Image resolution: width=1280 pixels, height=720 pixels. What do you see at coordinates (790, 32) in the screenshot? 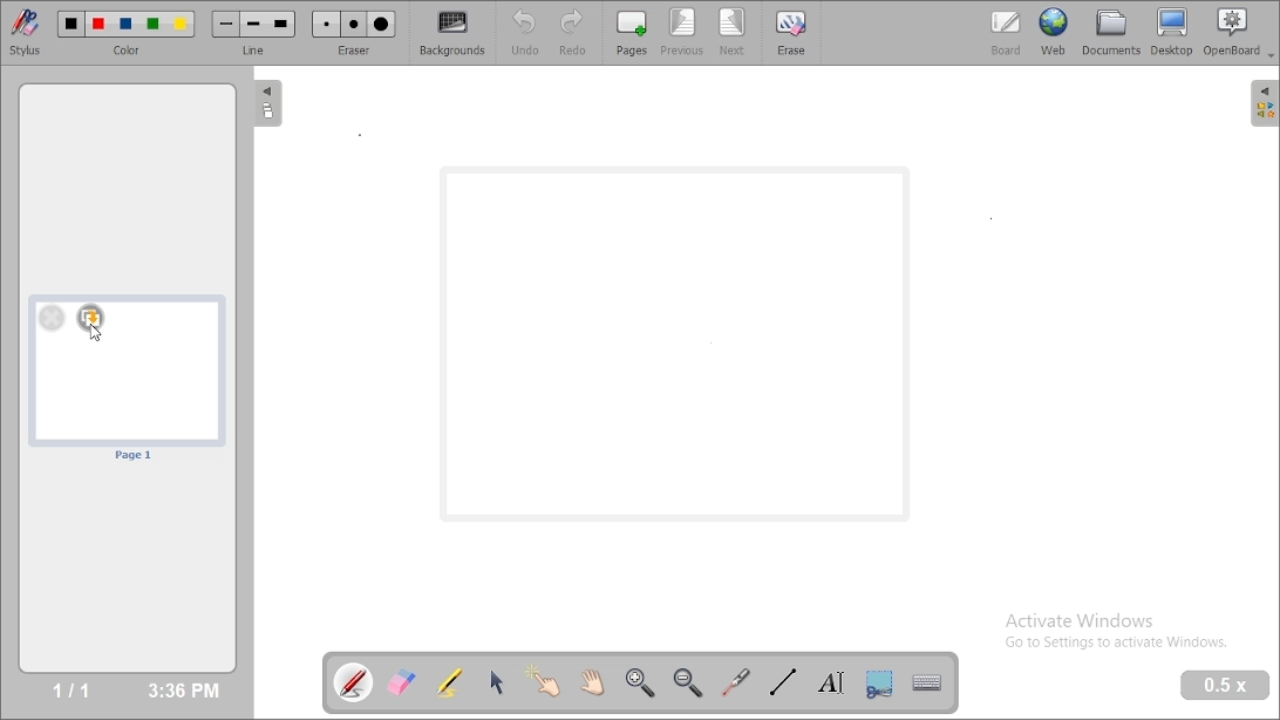
I see `erase` at bounding box center [790, 32].